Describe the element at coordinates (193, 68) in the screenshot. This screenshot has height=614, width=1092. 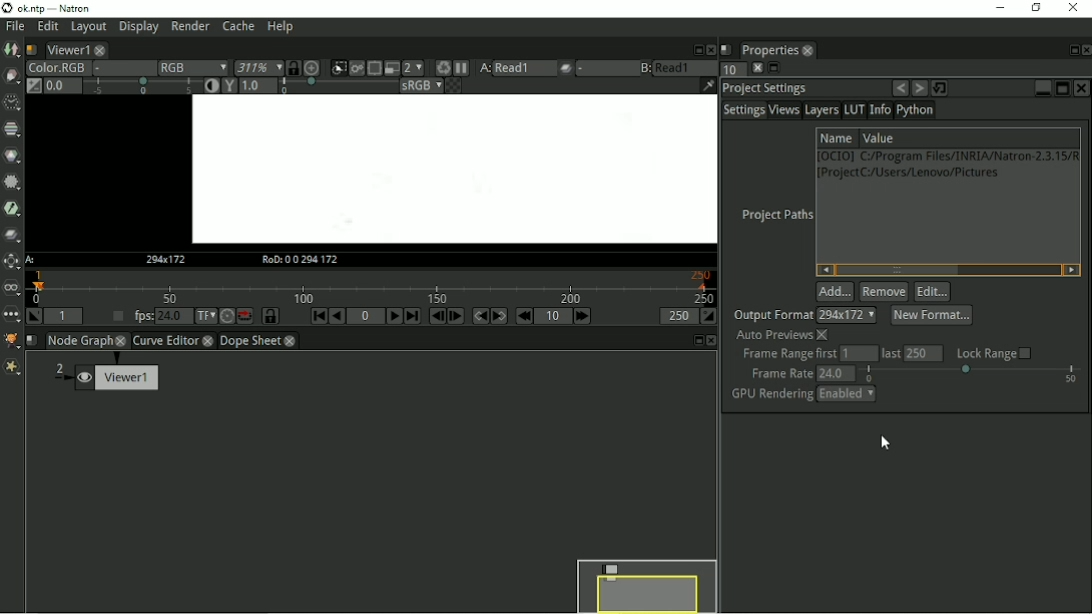
I see `Display Channels` at that location.